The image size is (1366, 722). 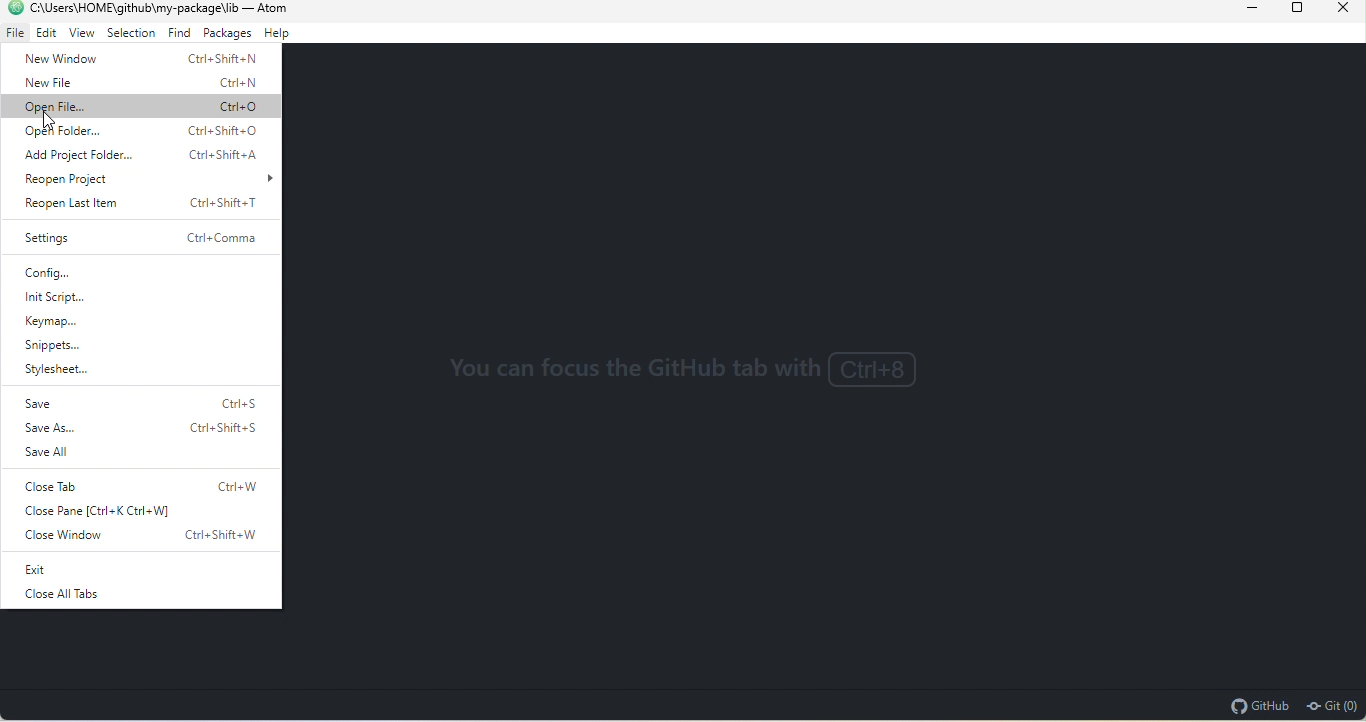 What do you see at coordinates (1332, 705) in the screenshot?
I see `git (0)` at bounding box center [1332, 705].